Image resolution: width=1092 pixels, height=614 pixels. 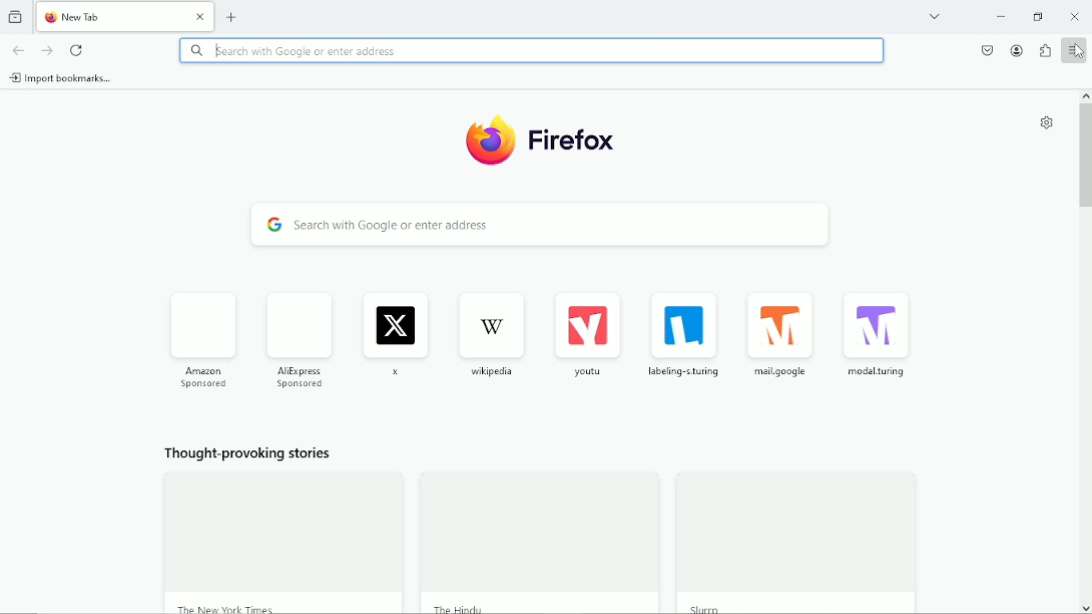 What do you see at coordinates (78, 51) in the screenshot?
I see `reload current page` at bounding box center [78, 51].